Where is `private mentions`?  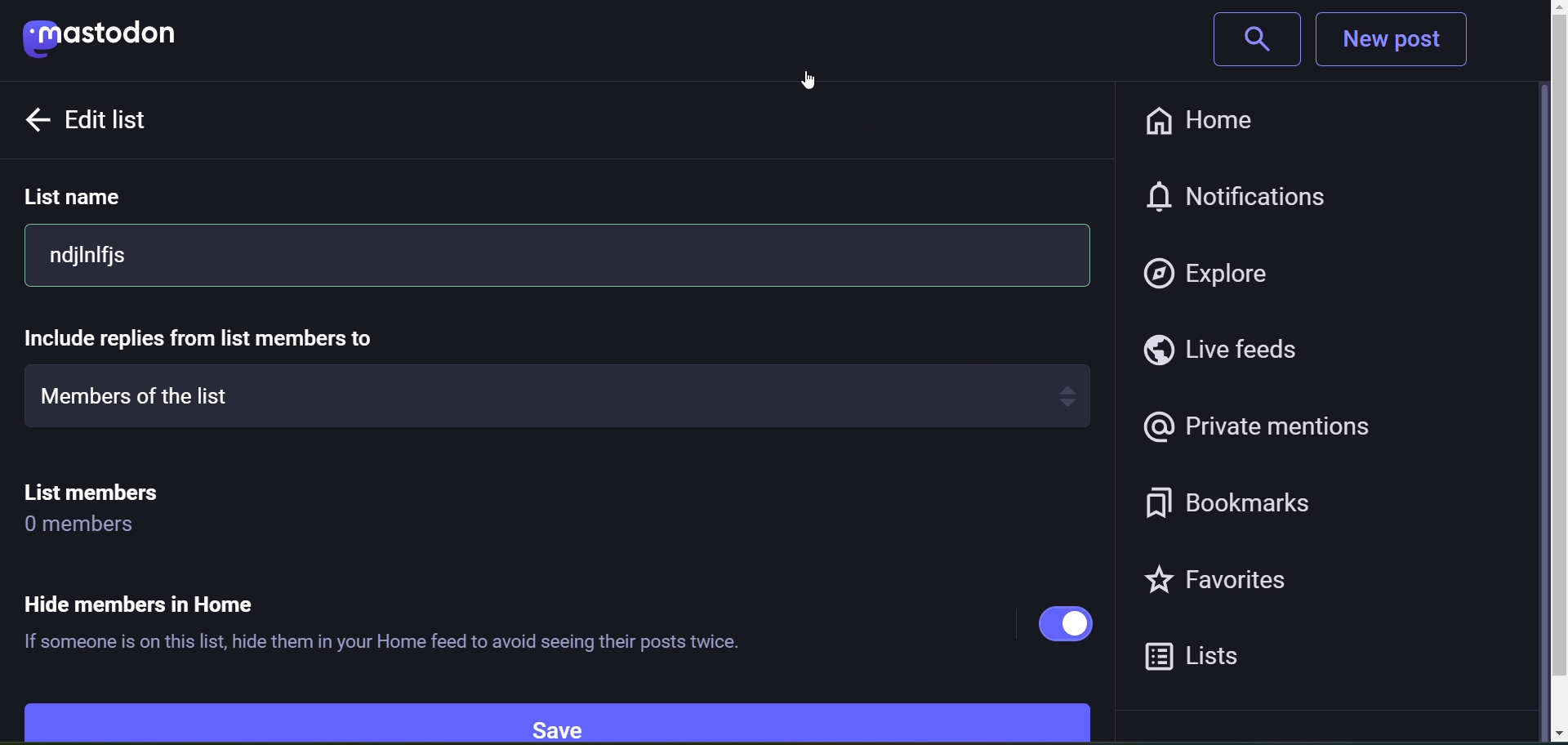 private mentions is located at coordinates (1259, 428).